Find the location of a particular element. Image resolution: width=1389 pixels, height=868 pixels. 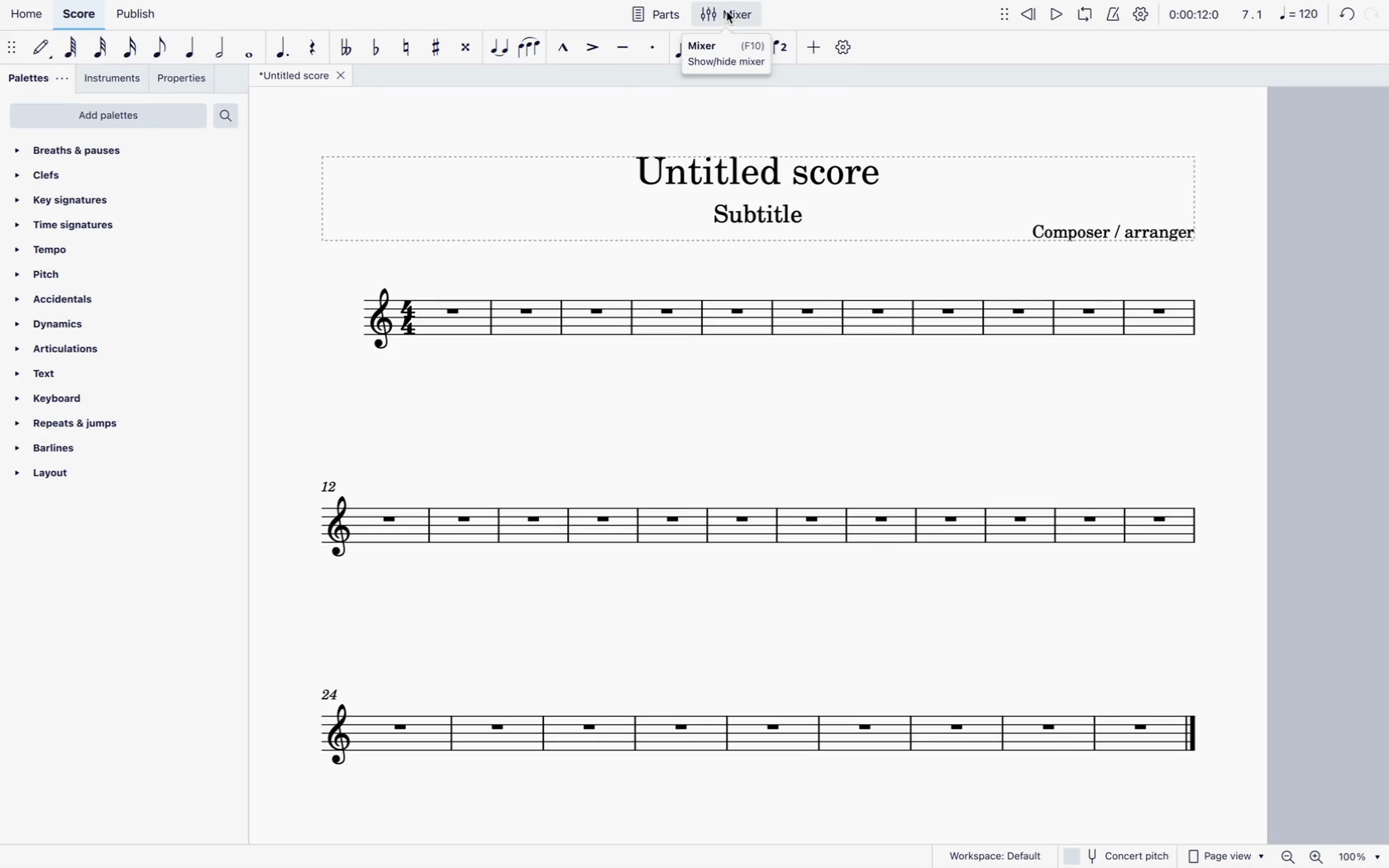

toggle double flat is located at coordinates (345, 46).